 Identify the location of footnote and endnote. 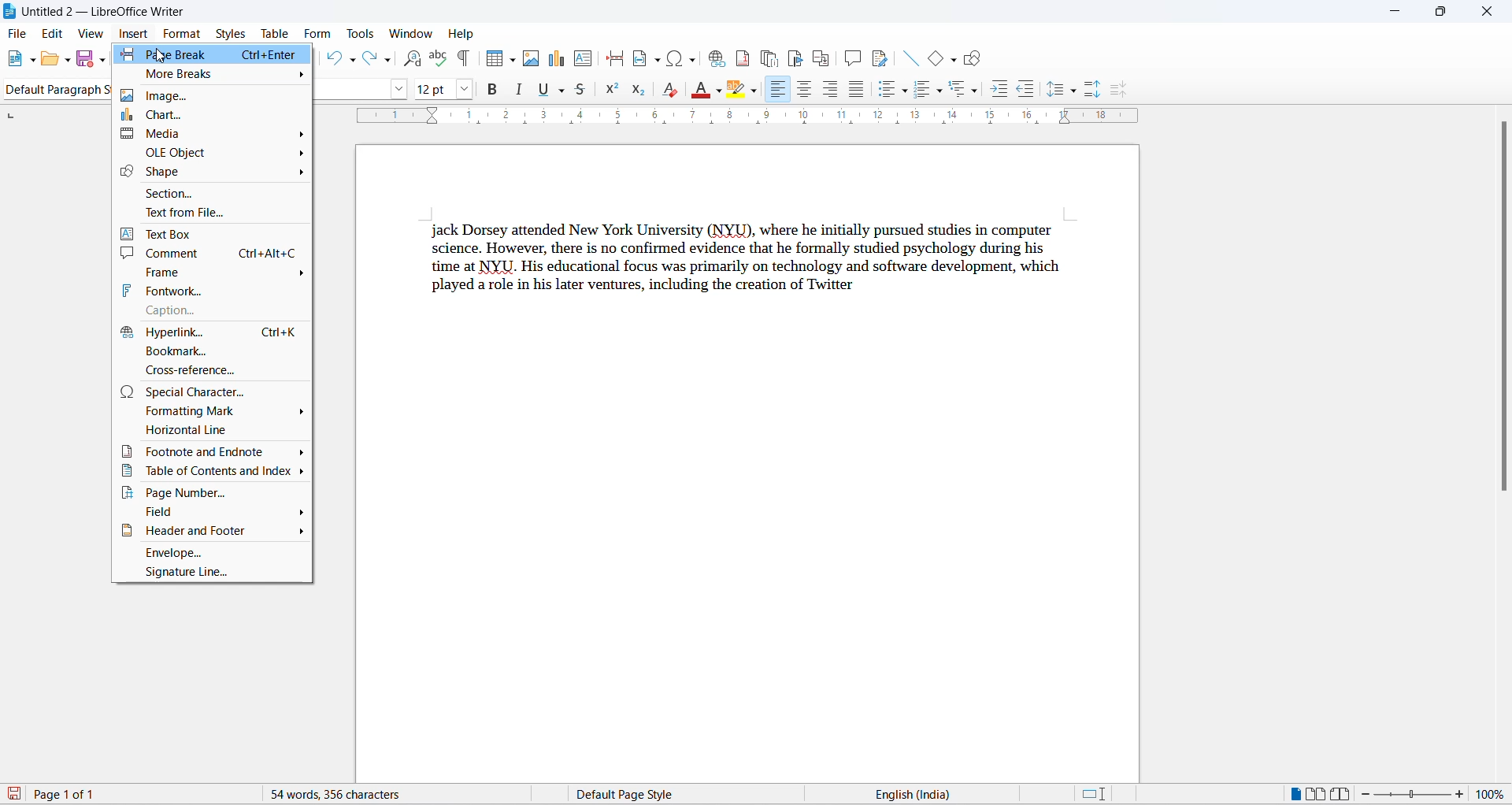
(213, 453).